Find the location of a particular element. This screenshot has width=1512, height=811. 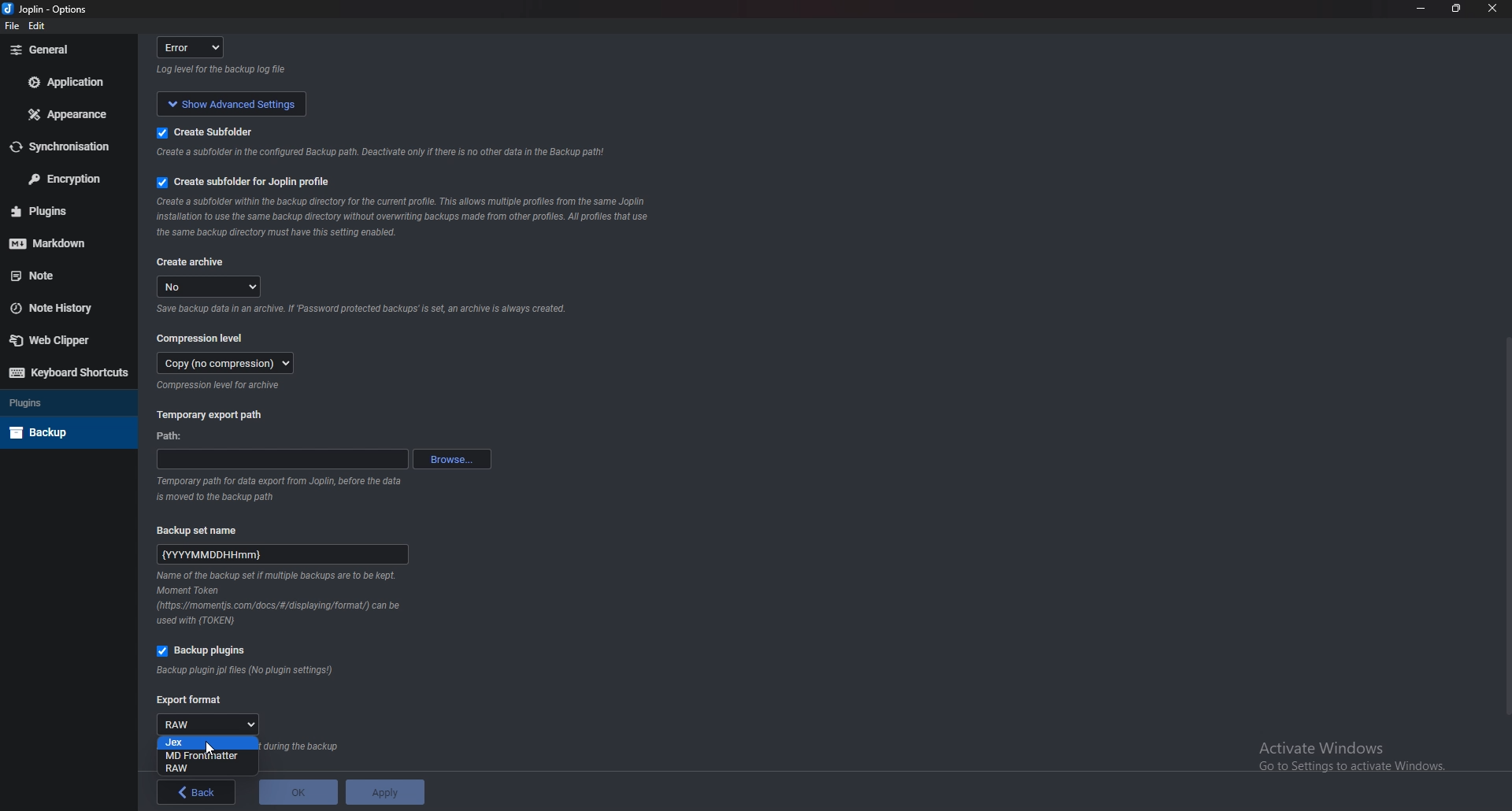

Web Clipper is located at coordinates (61, 339).